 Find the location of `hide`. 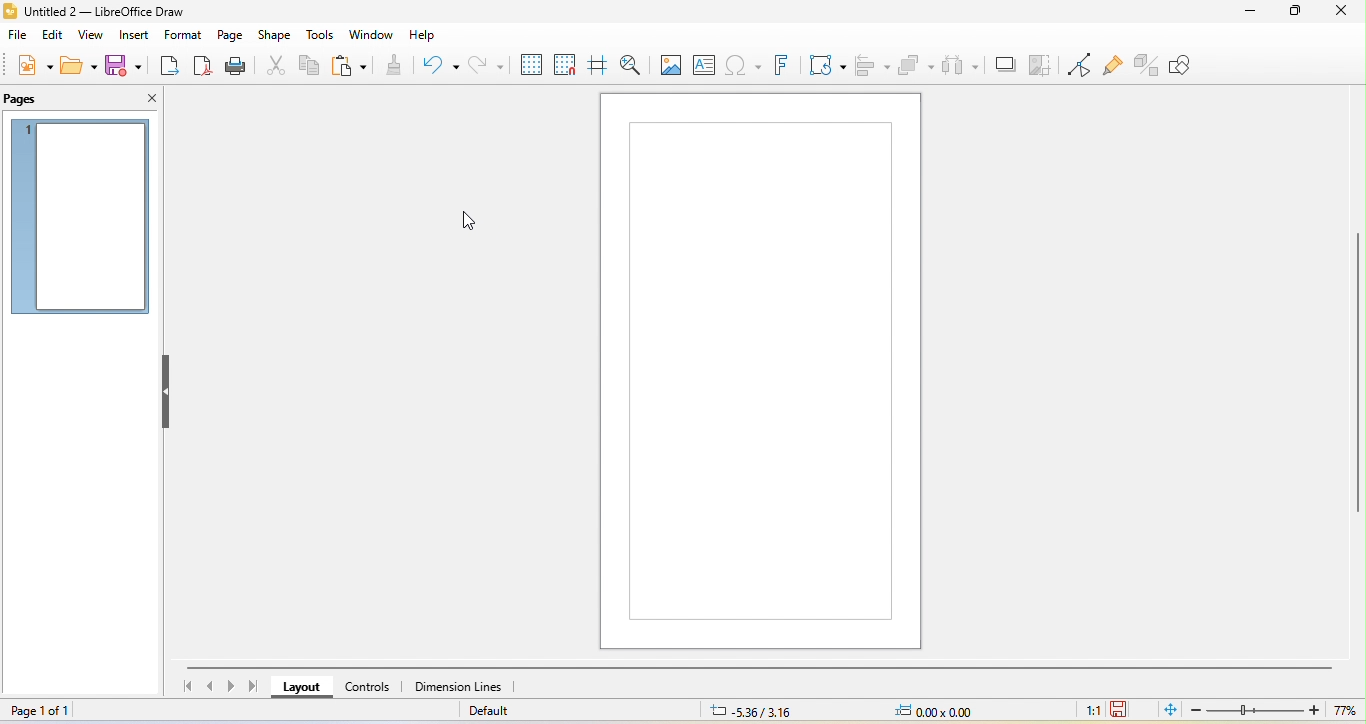

hide is located at coordinates (167, 393).